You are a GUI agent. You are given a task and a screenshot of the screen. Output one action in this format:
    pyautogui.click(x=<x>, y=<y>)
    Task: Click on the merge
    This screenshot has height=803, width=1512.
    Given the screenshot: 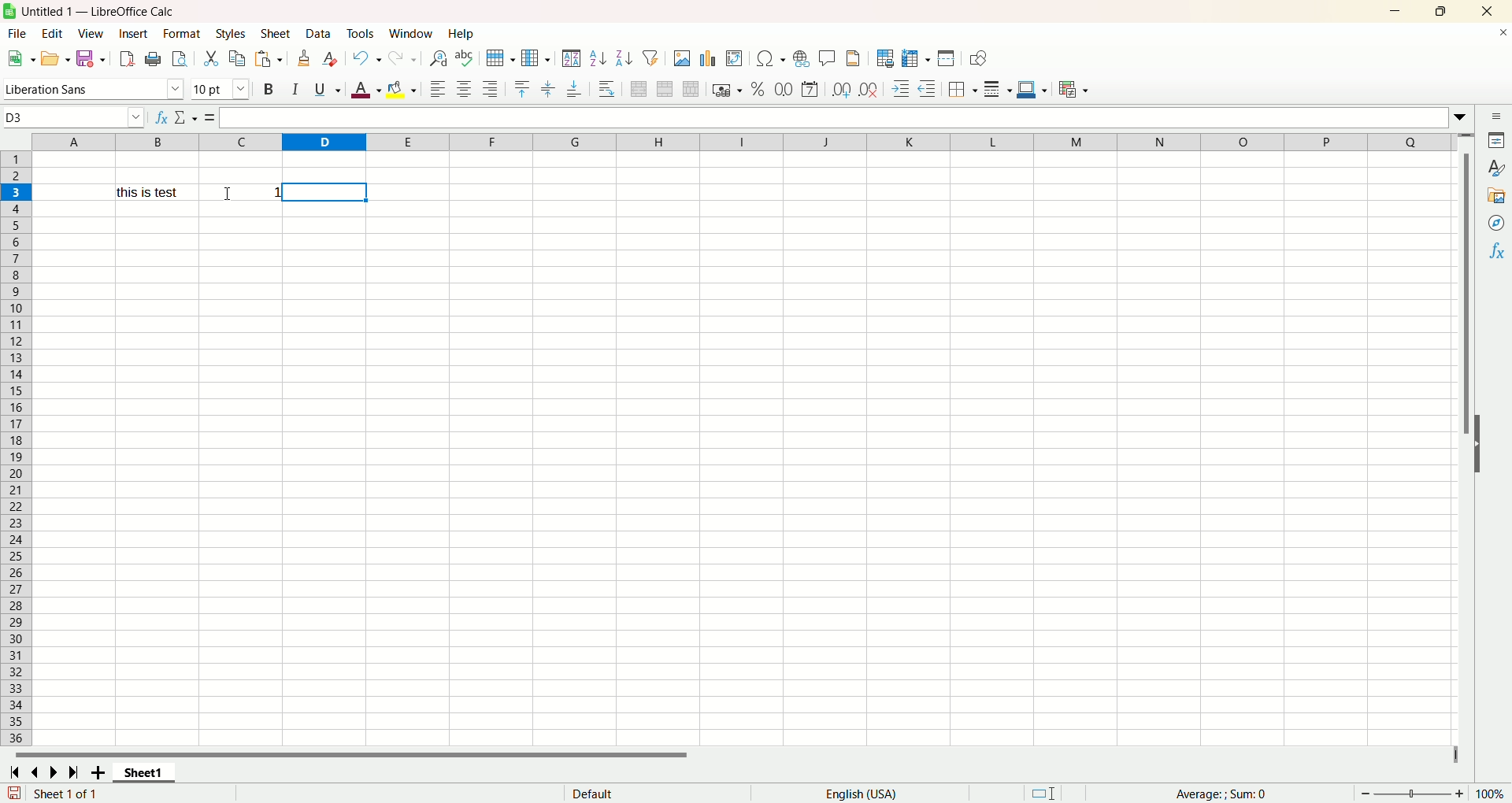 What is the action you would take?
    pyautogui.click(x=665, y=89)
    